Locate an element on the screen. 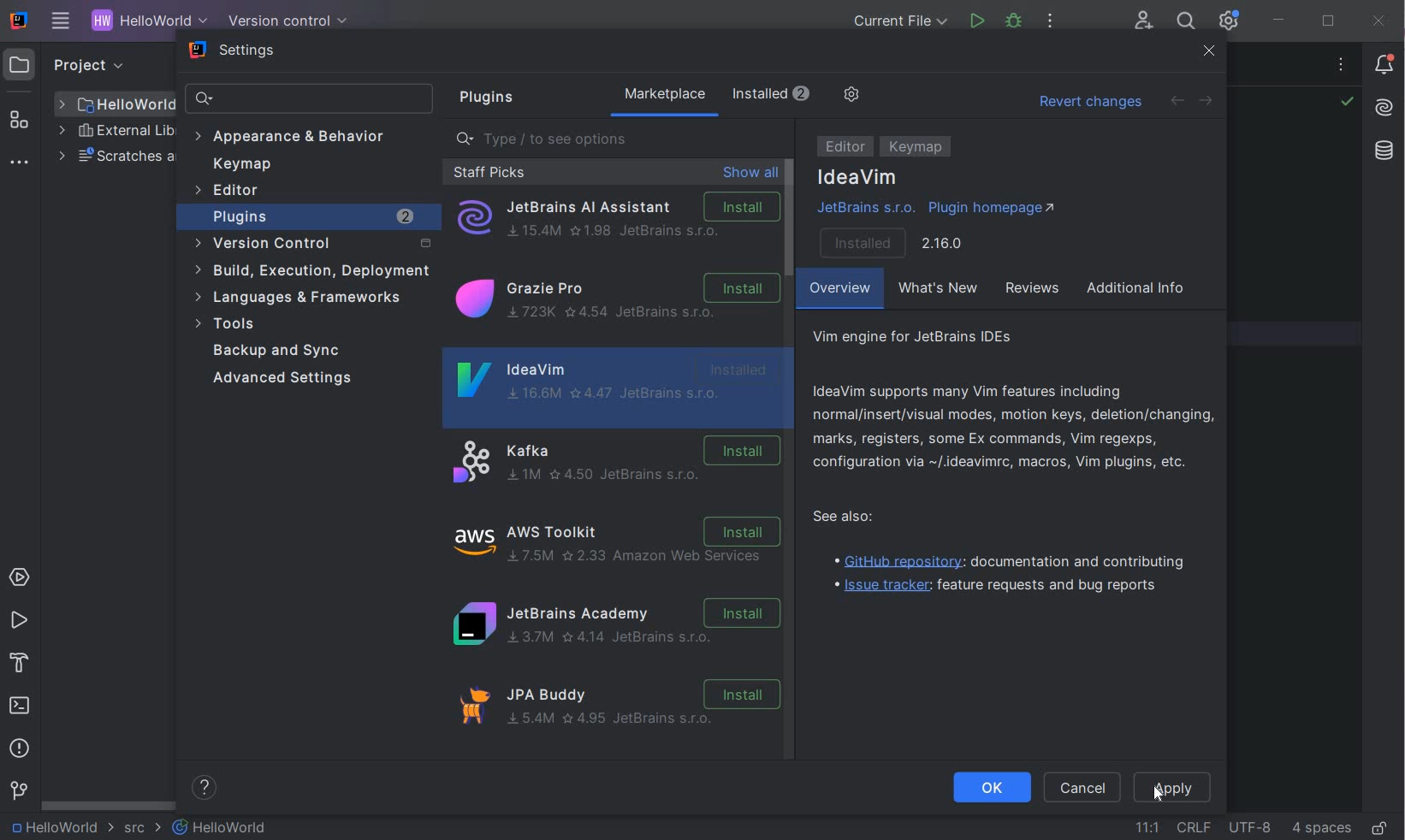 The width and height of the screenshot is (1405, 840). keymap is located at coordinates (242, 164).